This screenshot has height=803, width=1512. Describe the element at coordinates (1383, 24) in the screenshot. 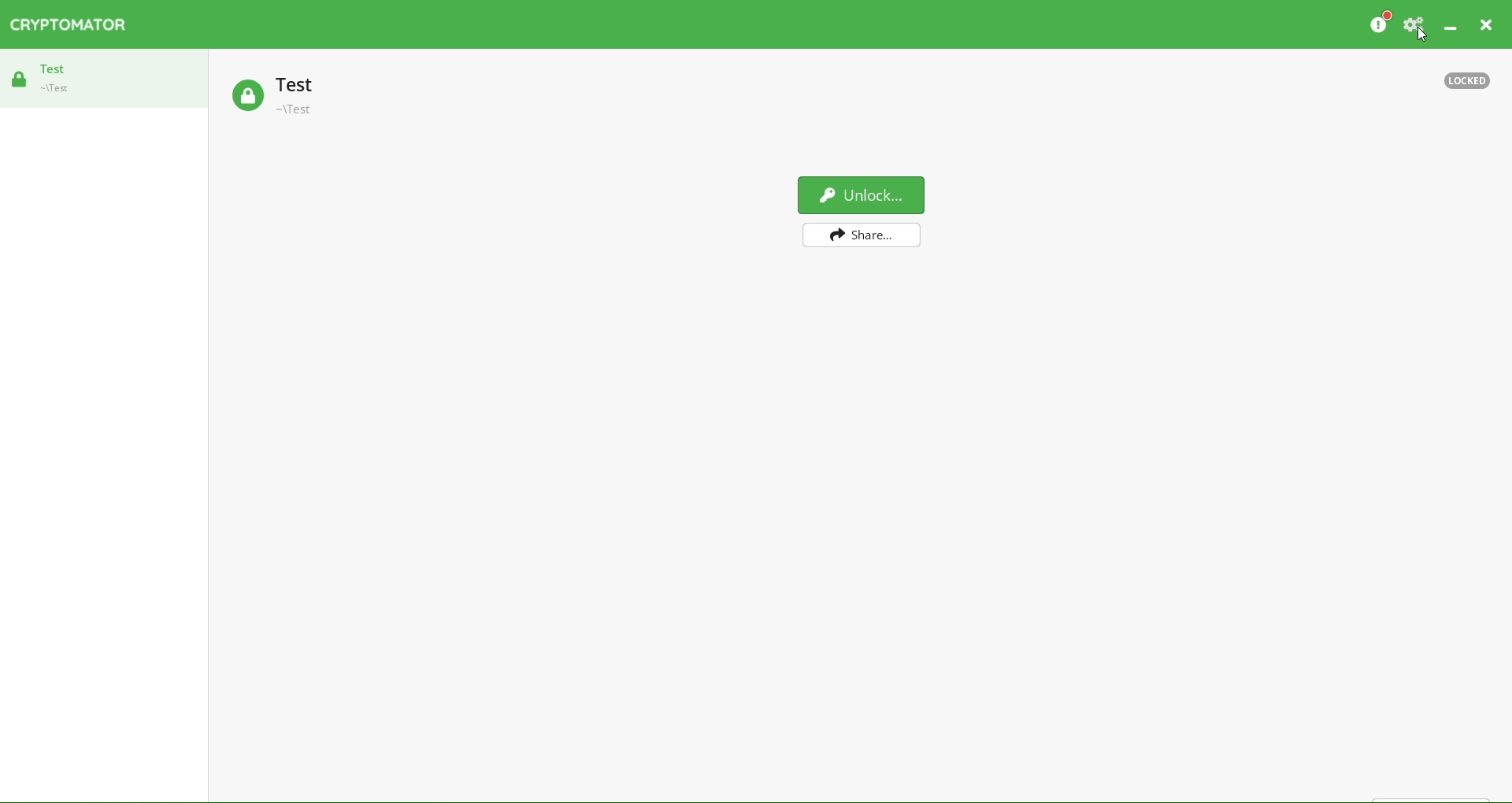

I see `Donate` at that location.